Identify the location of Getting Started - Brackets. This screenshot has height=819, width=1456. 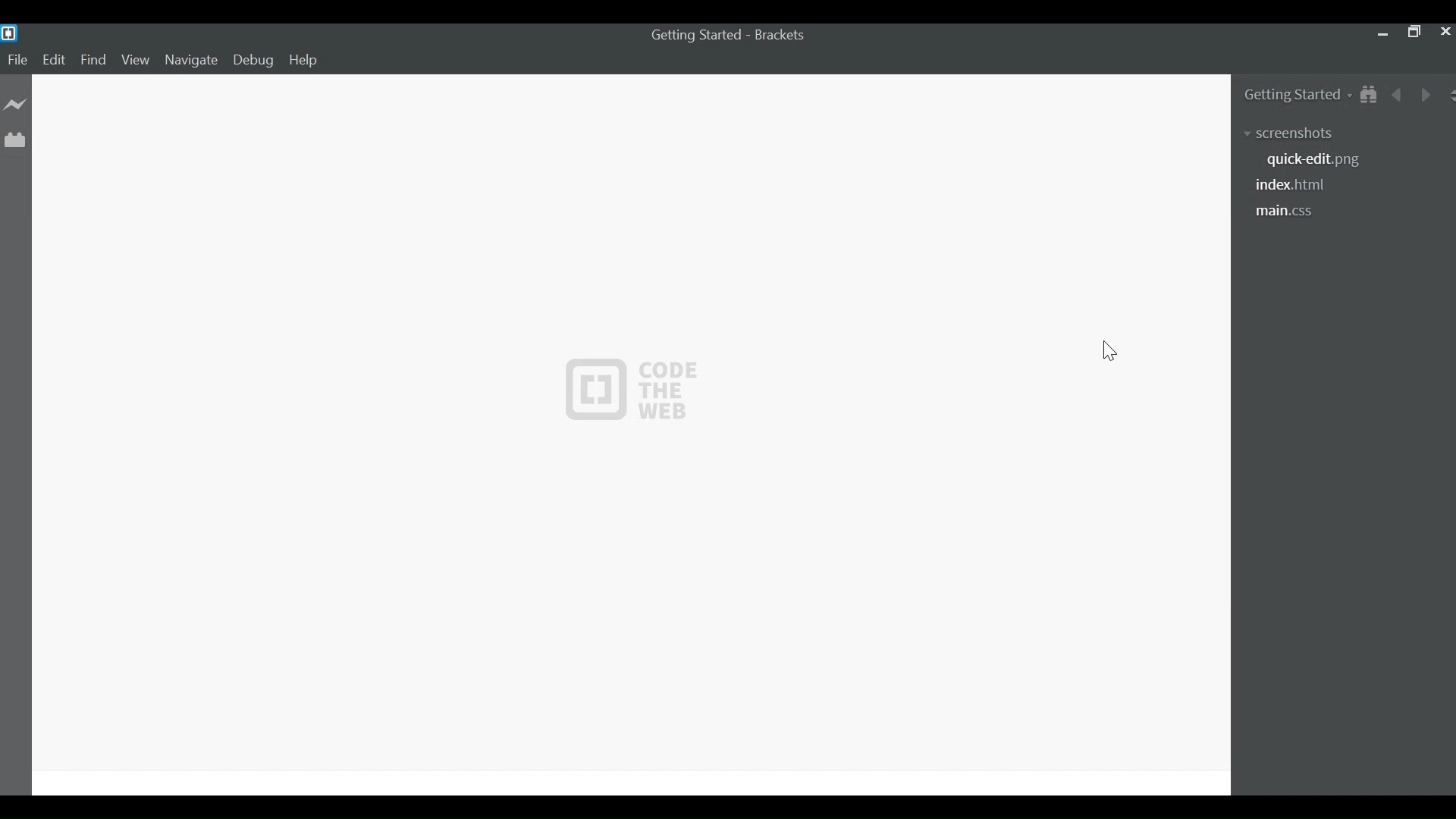
(724, 35).